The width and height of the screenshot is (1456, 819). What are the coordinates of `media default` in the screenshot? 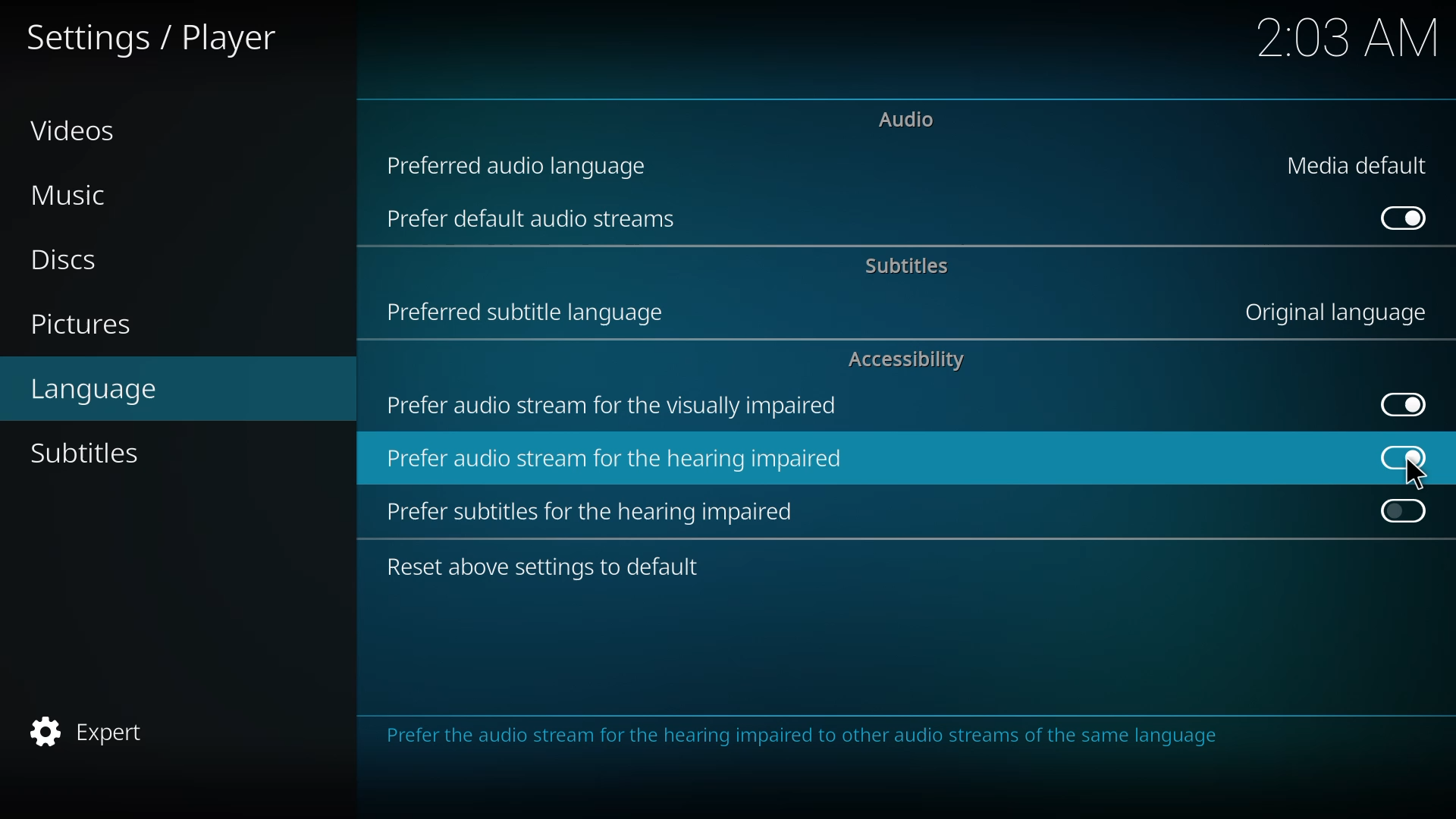 It's located at (1359, 167).